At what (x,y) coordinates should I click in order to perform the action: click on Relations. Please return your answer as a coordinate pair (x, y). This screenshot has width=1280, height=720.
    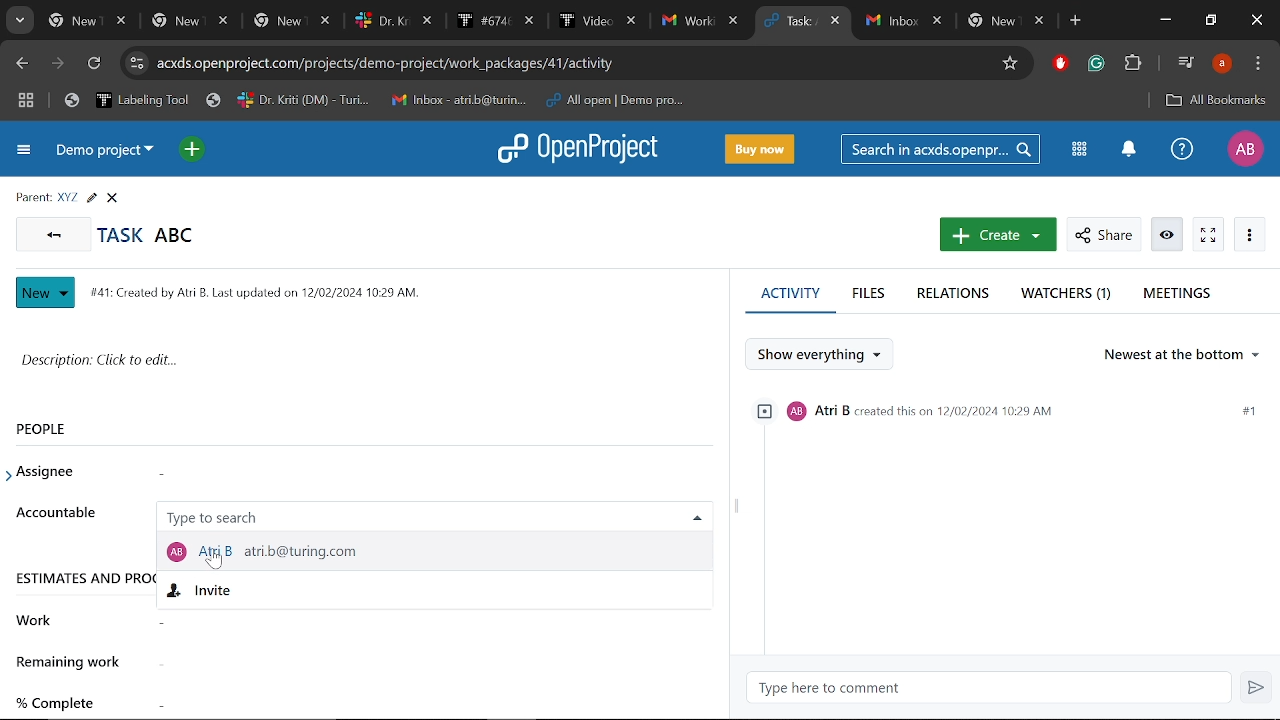
    Looking at the image, I should click on (953, 294).